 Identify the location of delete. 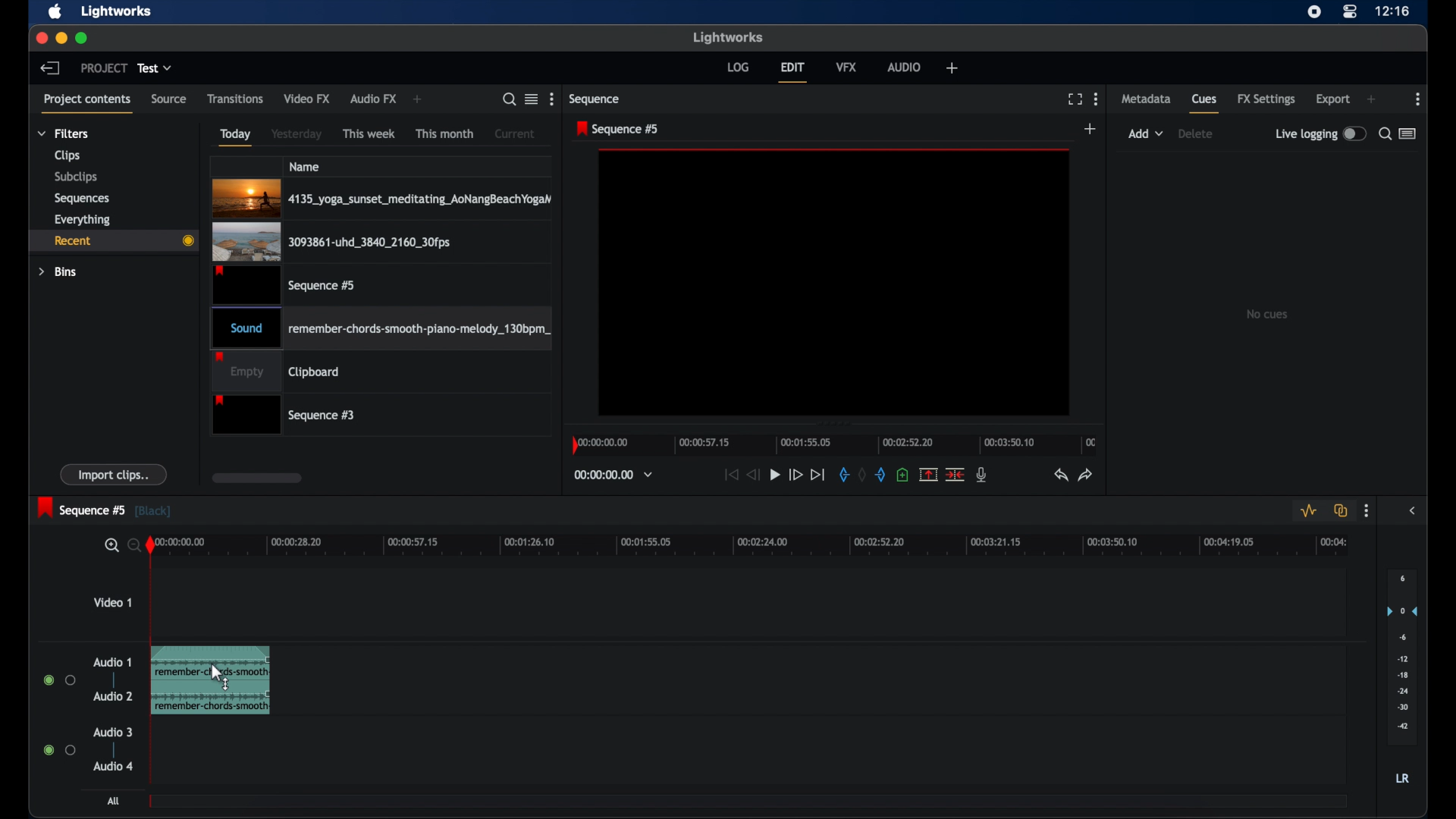
(1196, 133).